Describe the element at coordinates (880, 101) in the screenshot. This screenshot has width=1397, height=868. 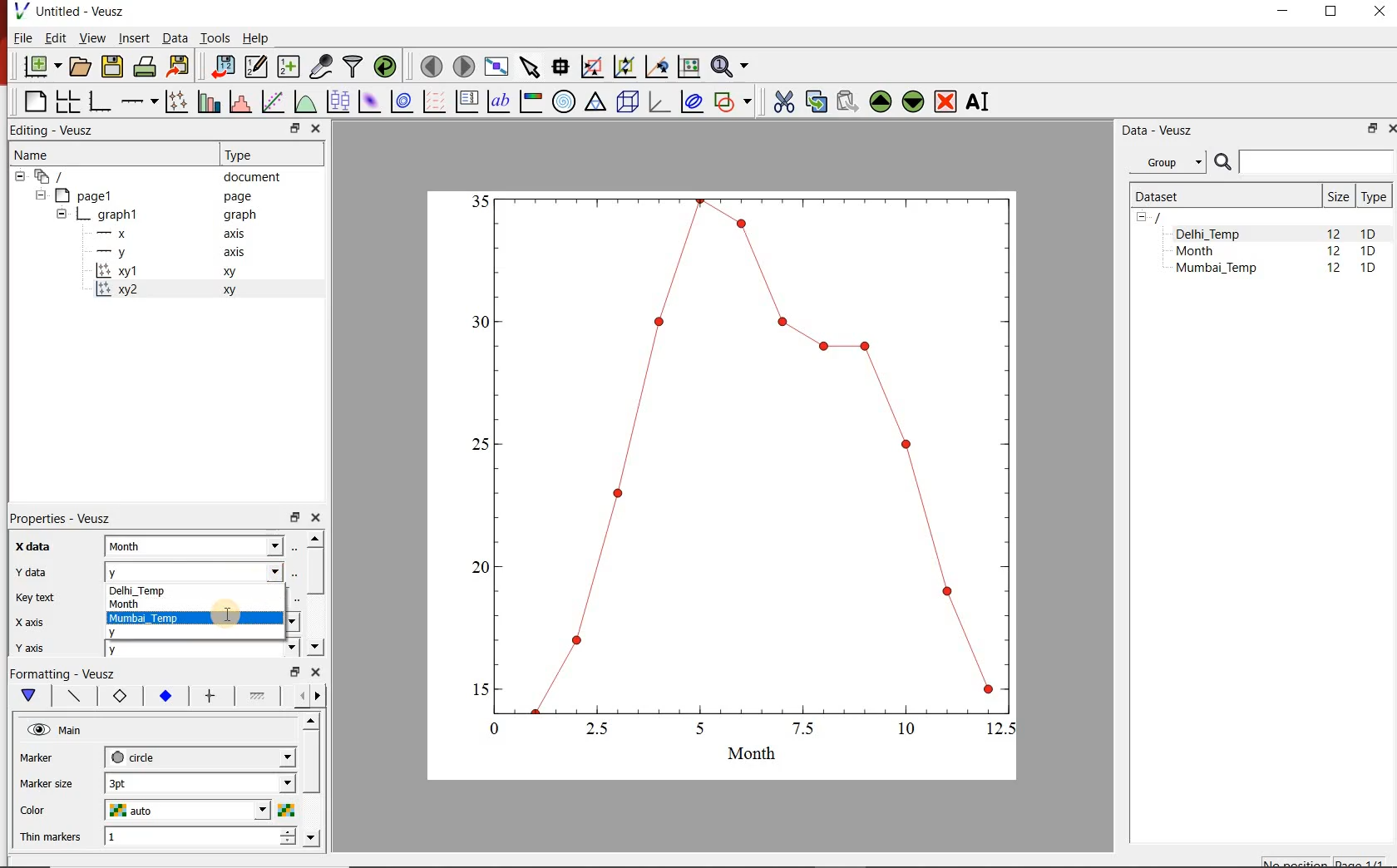
I see `move the selected widget up` at that location.